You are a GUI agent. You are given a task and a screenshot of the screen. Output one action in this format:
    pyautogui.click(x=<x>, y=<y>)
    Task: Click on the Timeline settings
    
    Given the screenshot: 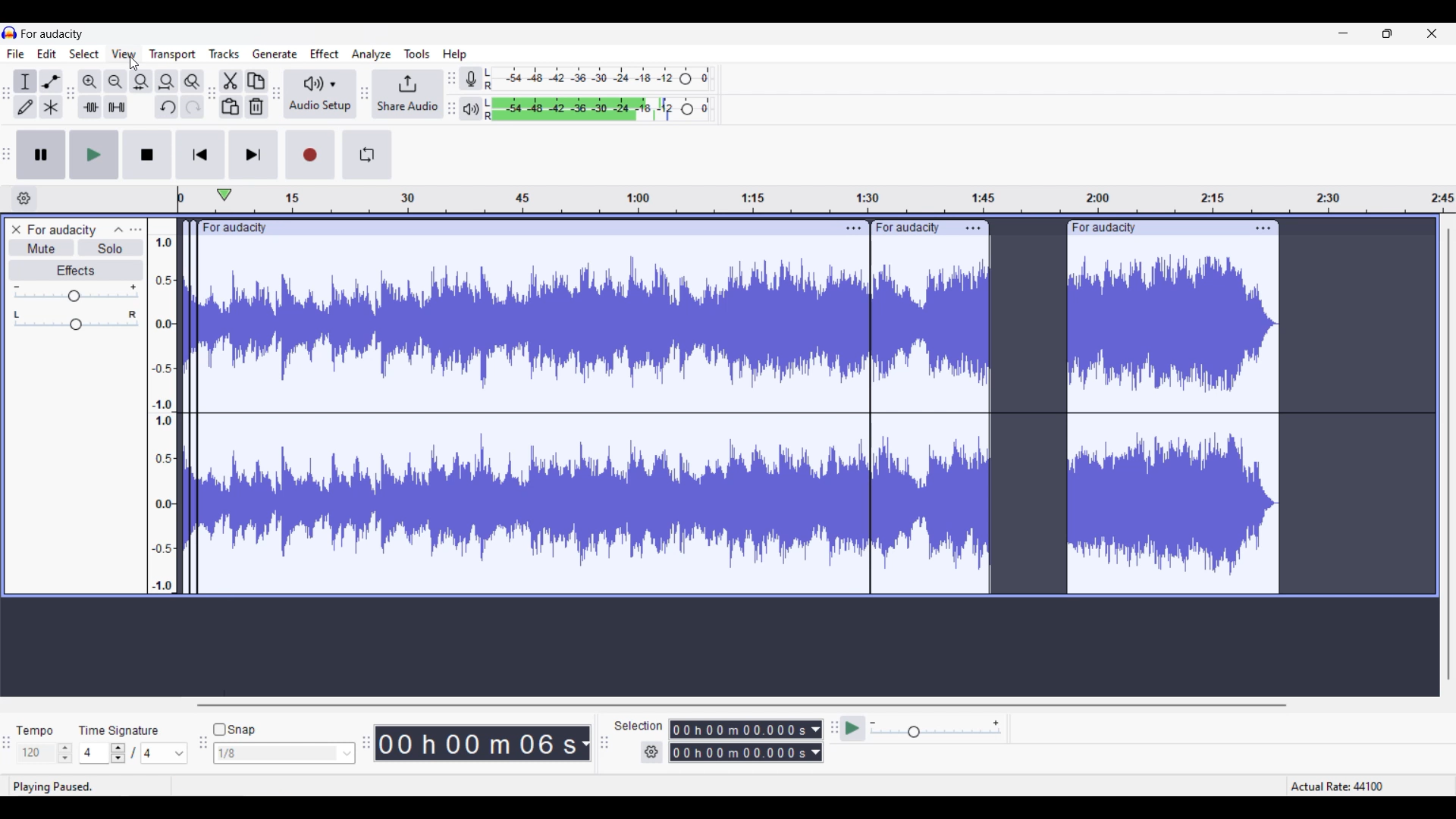 What is the action you would take?
    pyautogui.click(x=24, y=199)
    